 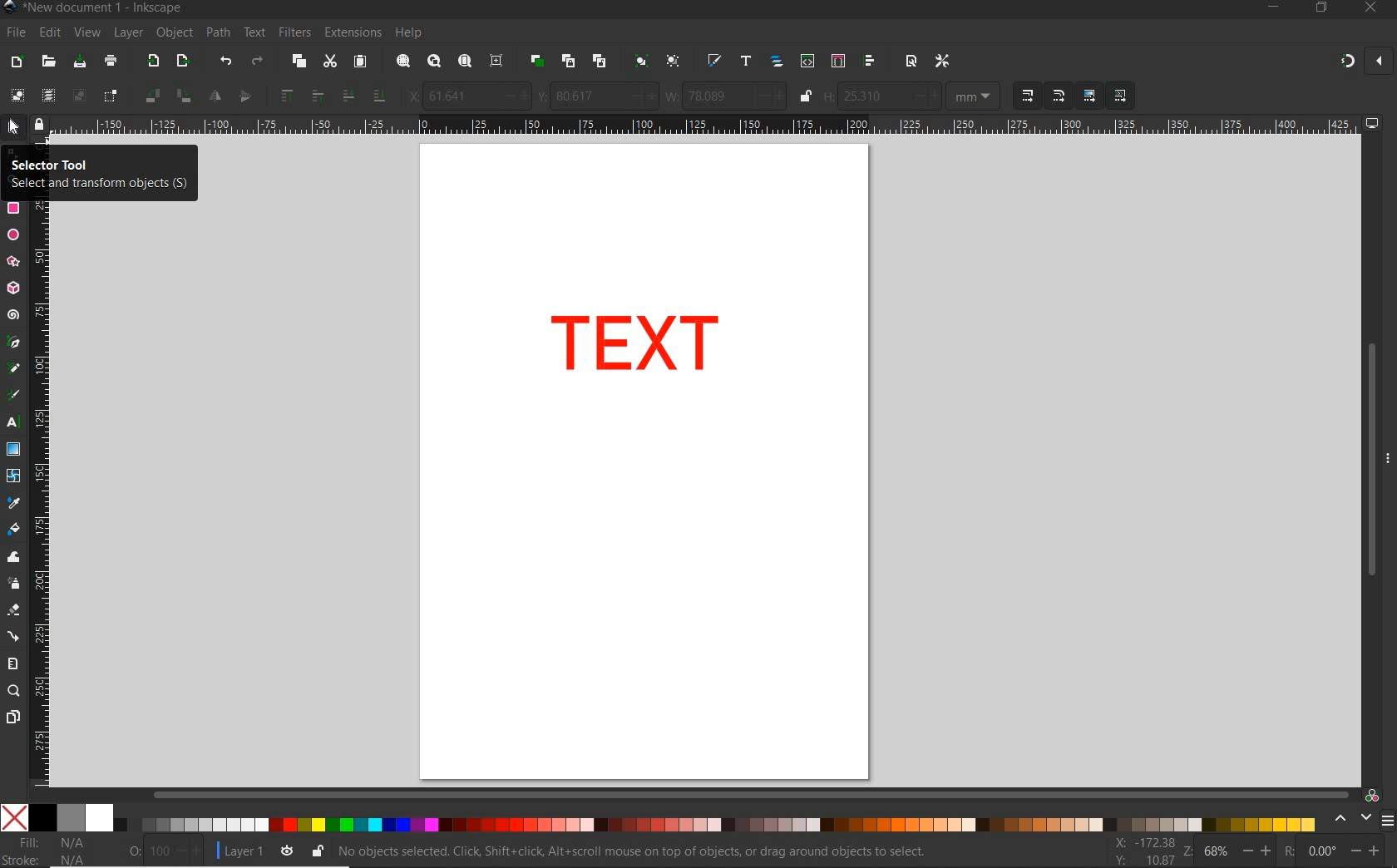 What do you see at coordinates (1043, 96) in the screenshot?
I see `SCALING` at bounding box center [1043, 96].